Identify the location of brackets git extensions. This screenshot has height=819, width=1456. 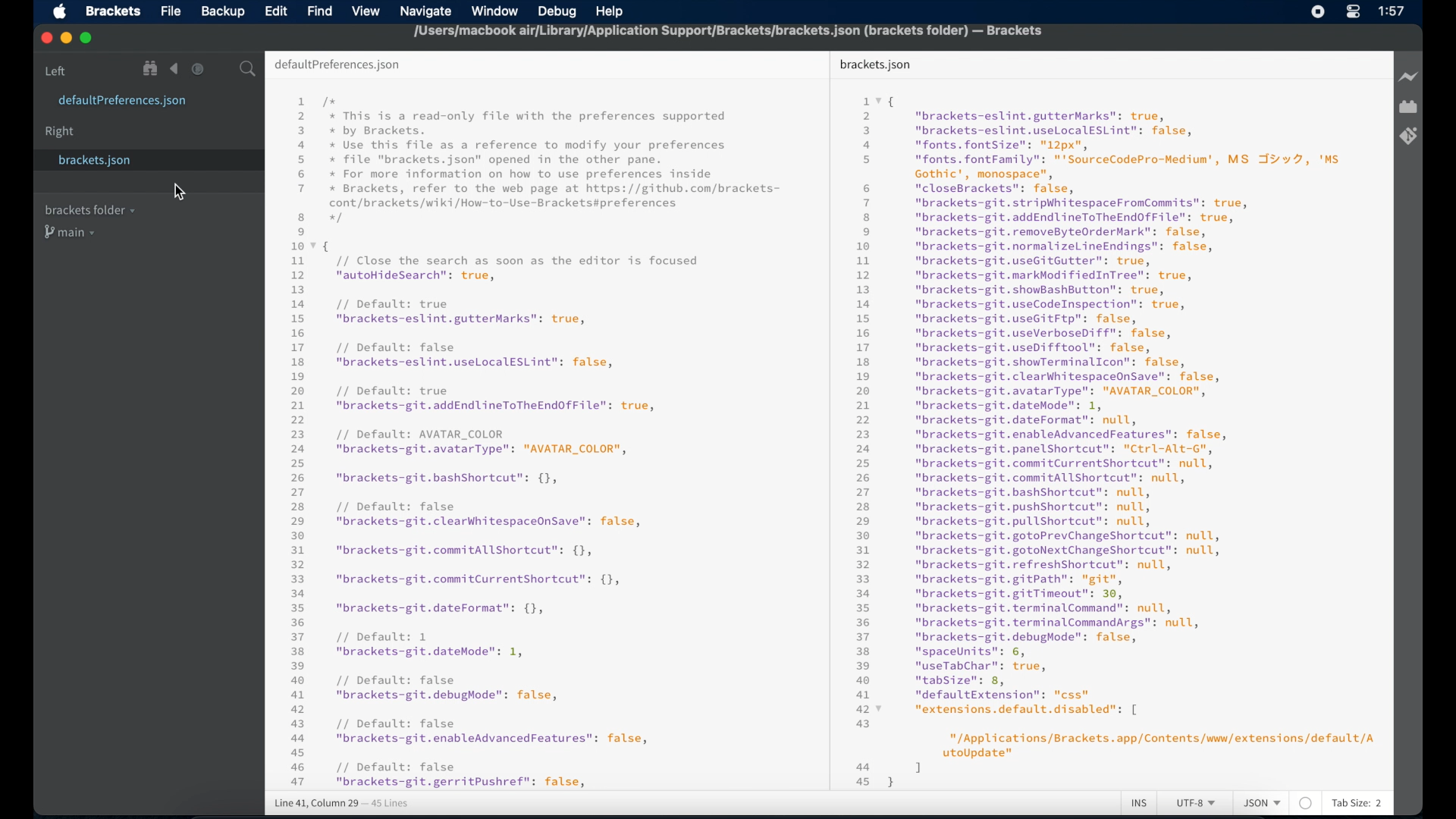
(1408, 136).